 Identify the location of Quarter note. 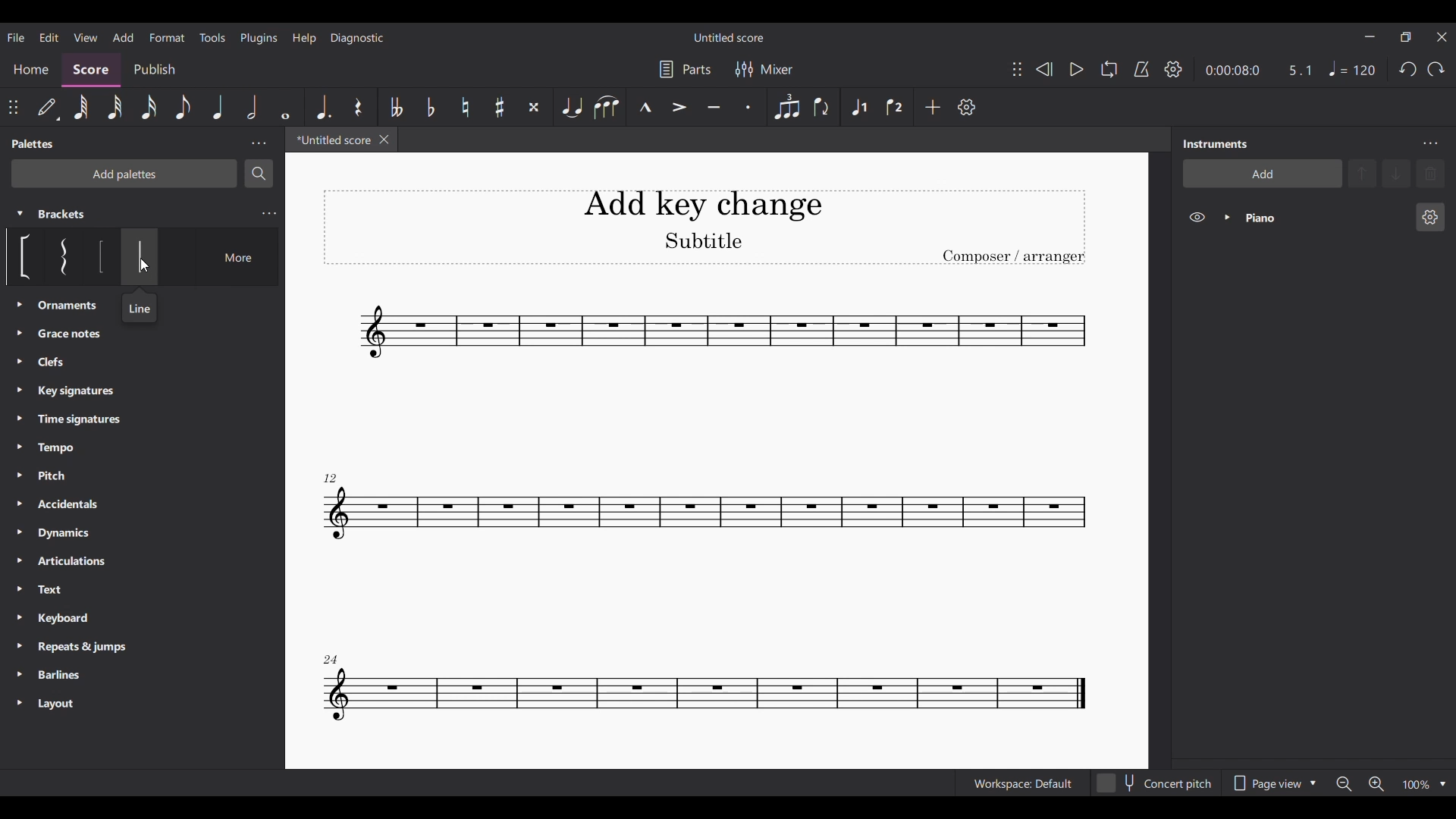
(1351, 68).